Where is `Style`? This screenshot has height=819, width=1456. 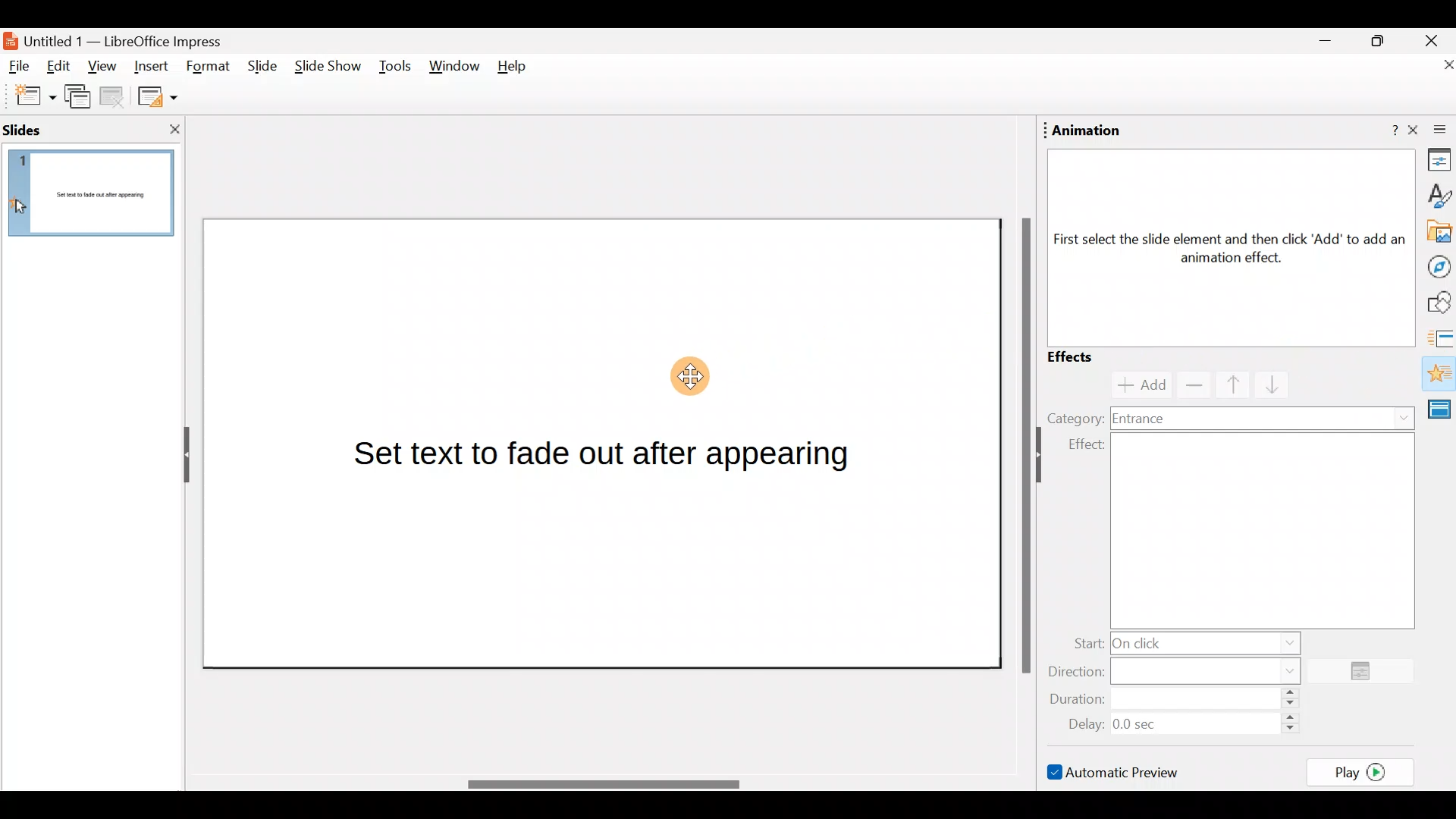 Style is located at coordinates (1438, 195).